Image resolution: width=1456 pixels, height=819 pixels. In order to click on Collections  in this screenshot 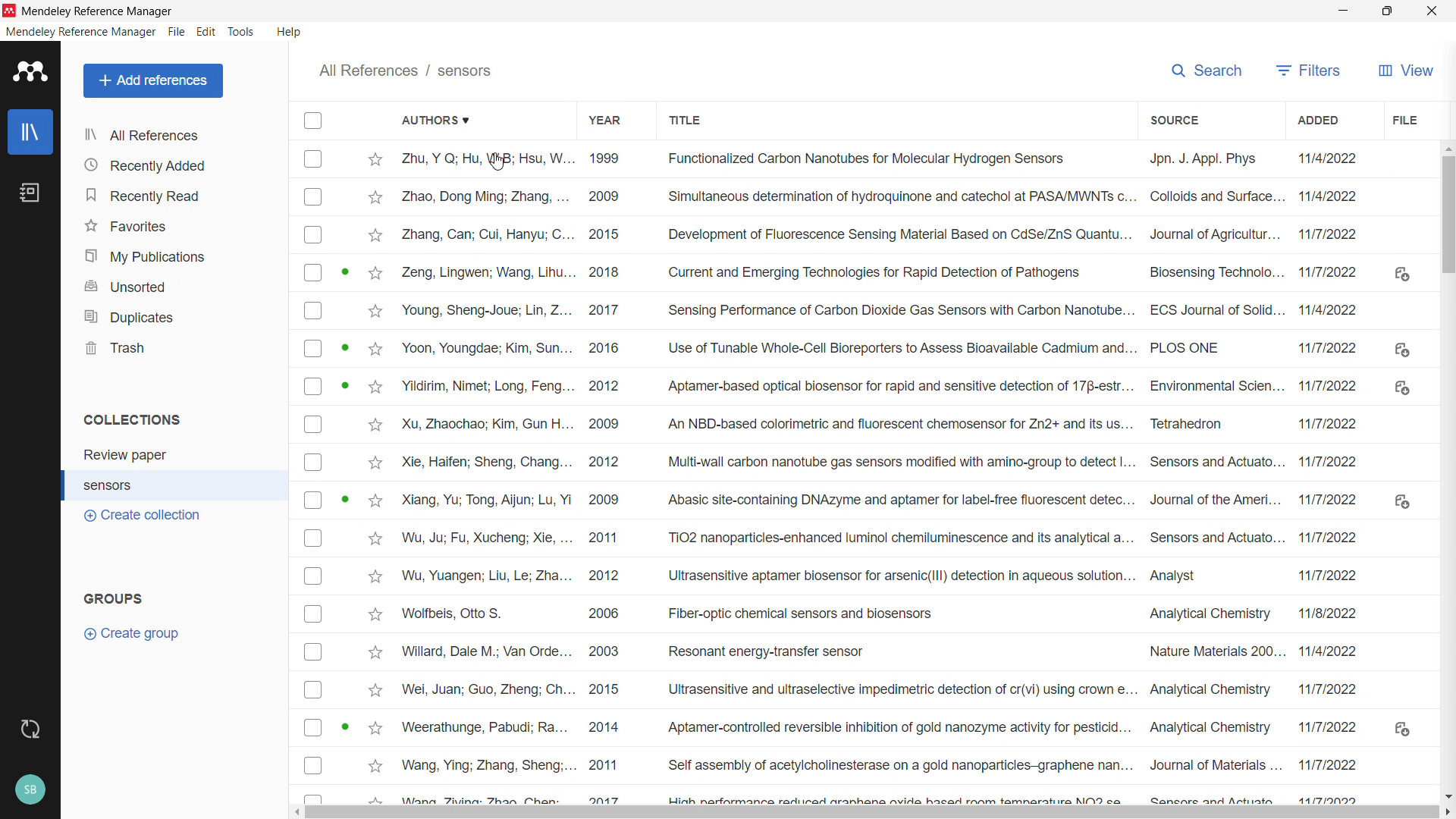, I will do `click(134, 419)`.